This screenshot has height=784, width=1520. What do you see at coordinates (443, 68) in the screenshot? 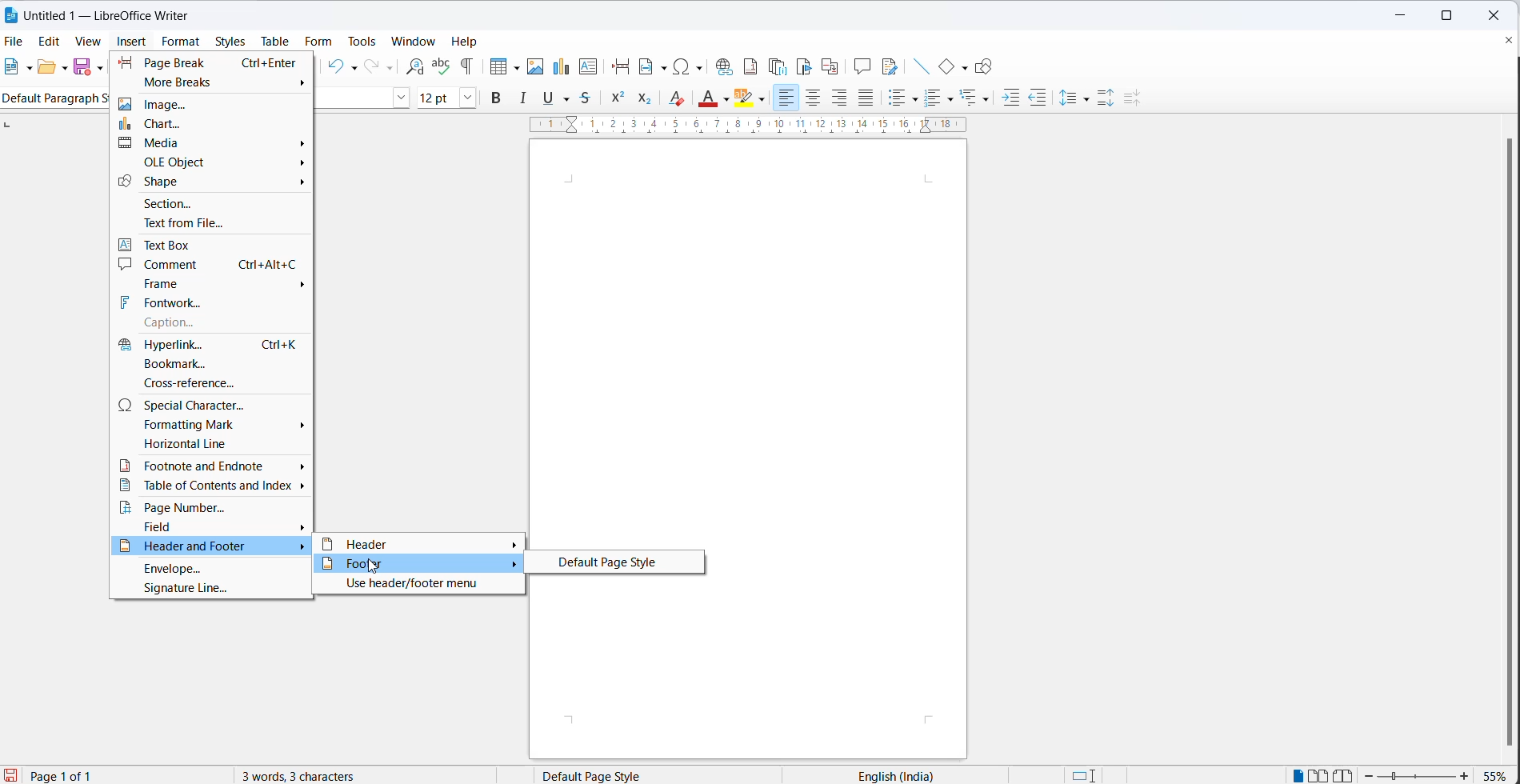
I see `spellings` at bounding box center [443, 68].